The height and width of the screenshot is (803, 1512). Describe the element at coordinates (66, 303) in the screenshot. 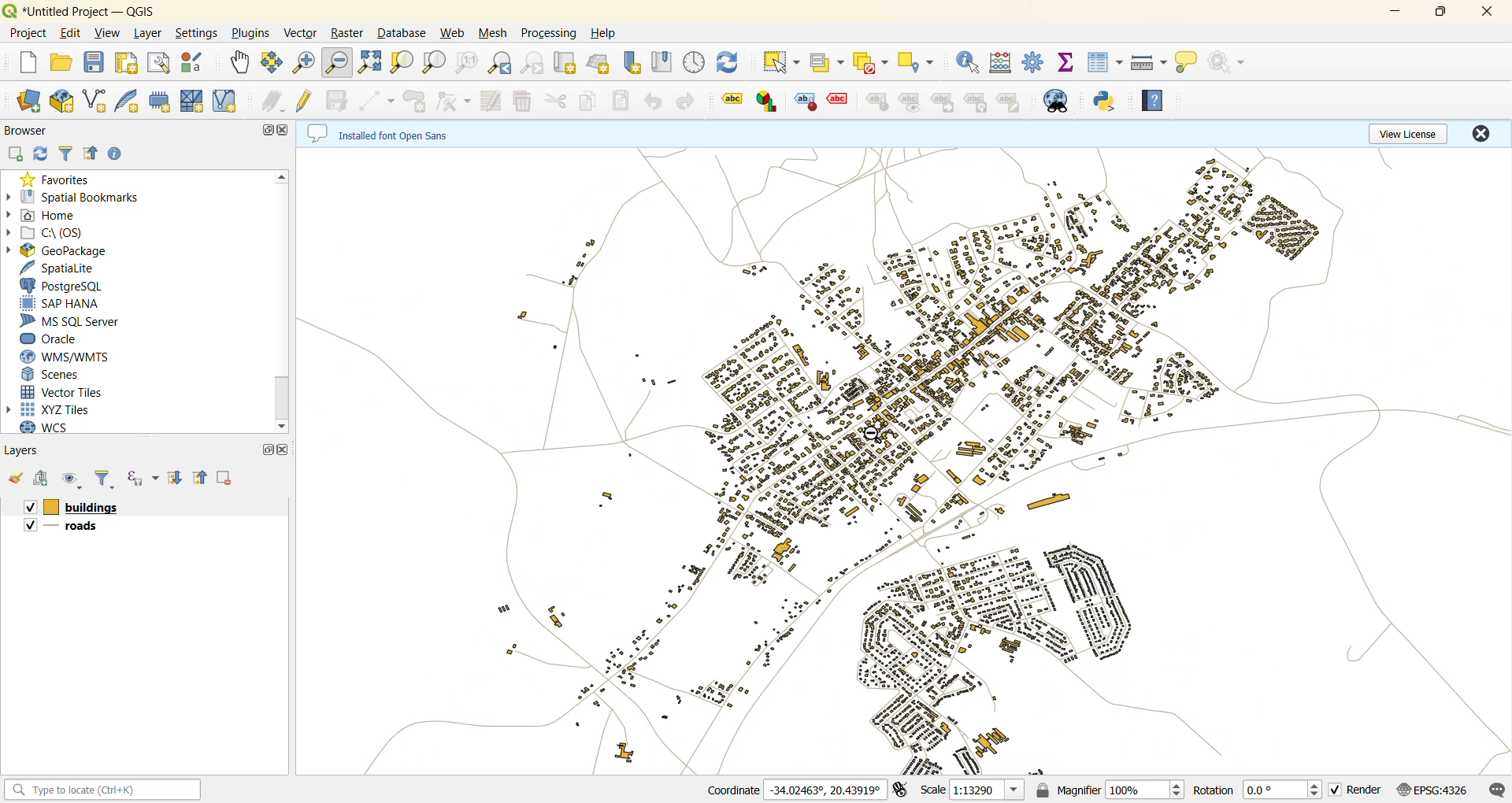

I see `sap hana` at that location.